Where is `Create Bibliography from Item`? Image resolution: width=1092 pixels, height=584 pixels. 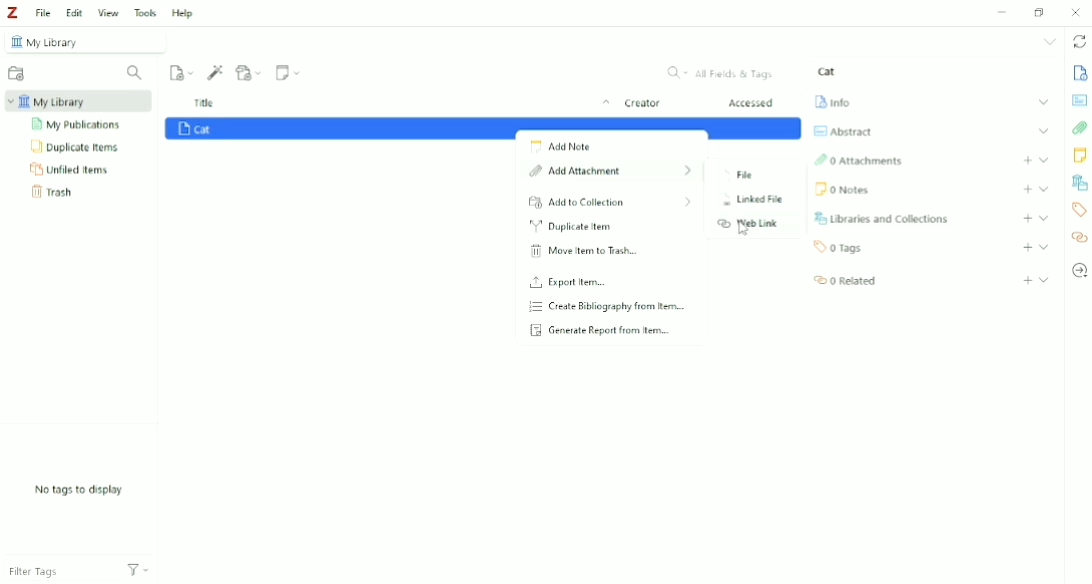
Create Bibliography from Item is located at coordinates (606, 306).